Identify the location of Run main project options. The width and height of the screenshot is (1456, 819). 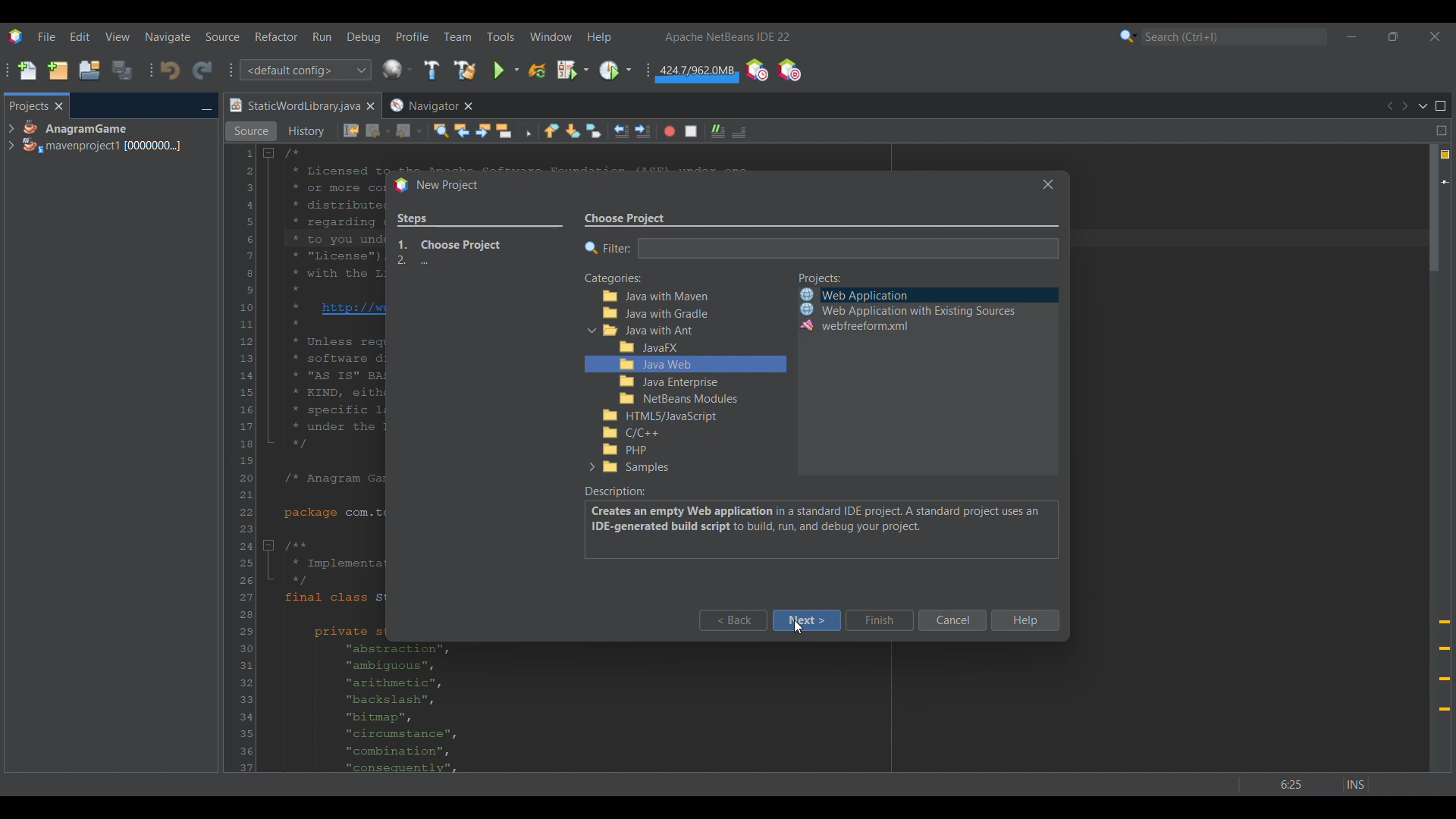
(507, 70).